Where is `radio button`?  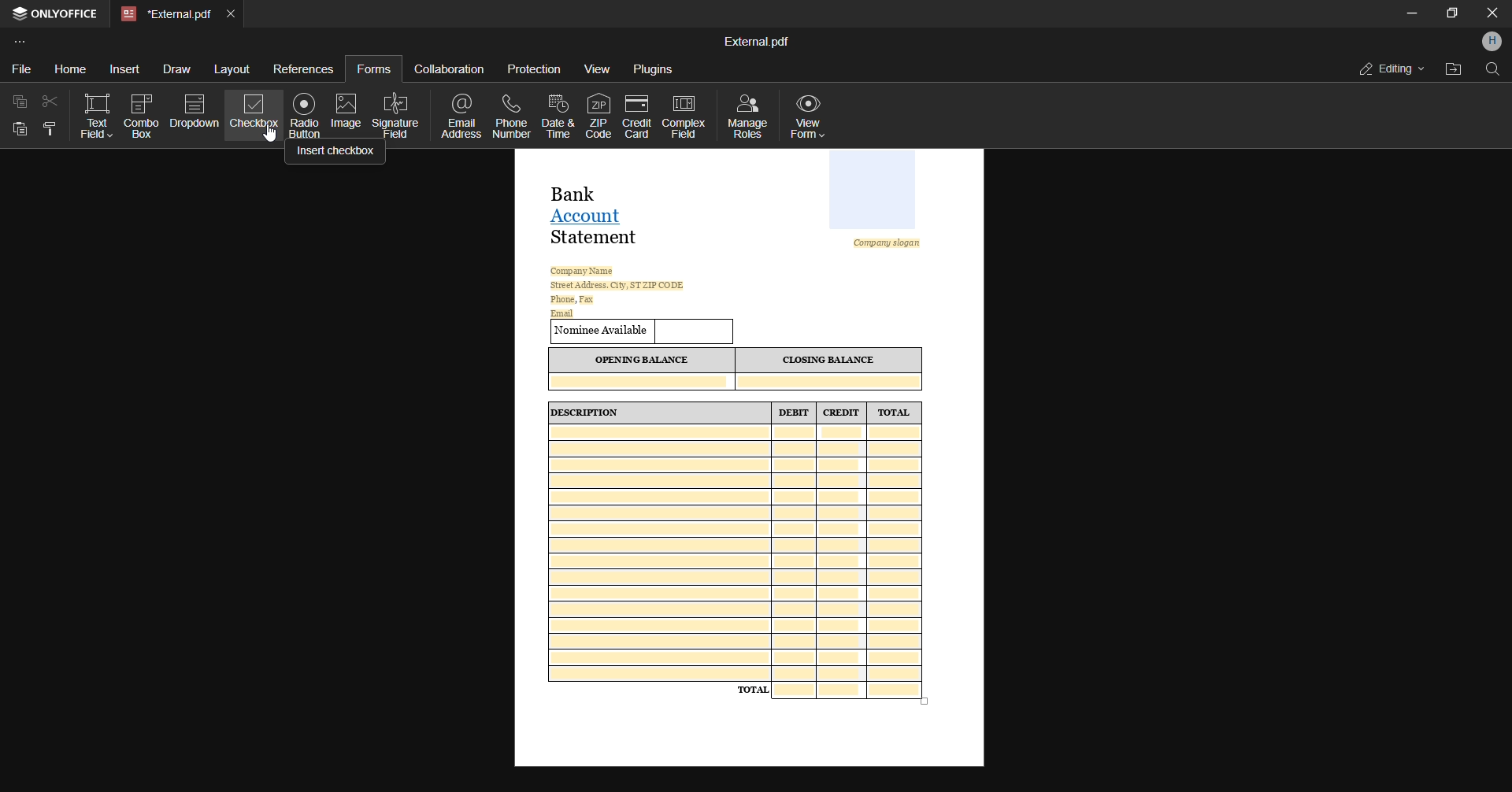 radio button is located at coordinates (306, 115).